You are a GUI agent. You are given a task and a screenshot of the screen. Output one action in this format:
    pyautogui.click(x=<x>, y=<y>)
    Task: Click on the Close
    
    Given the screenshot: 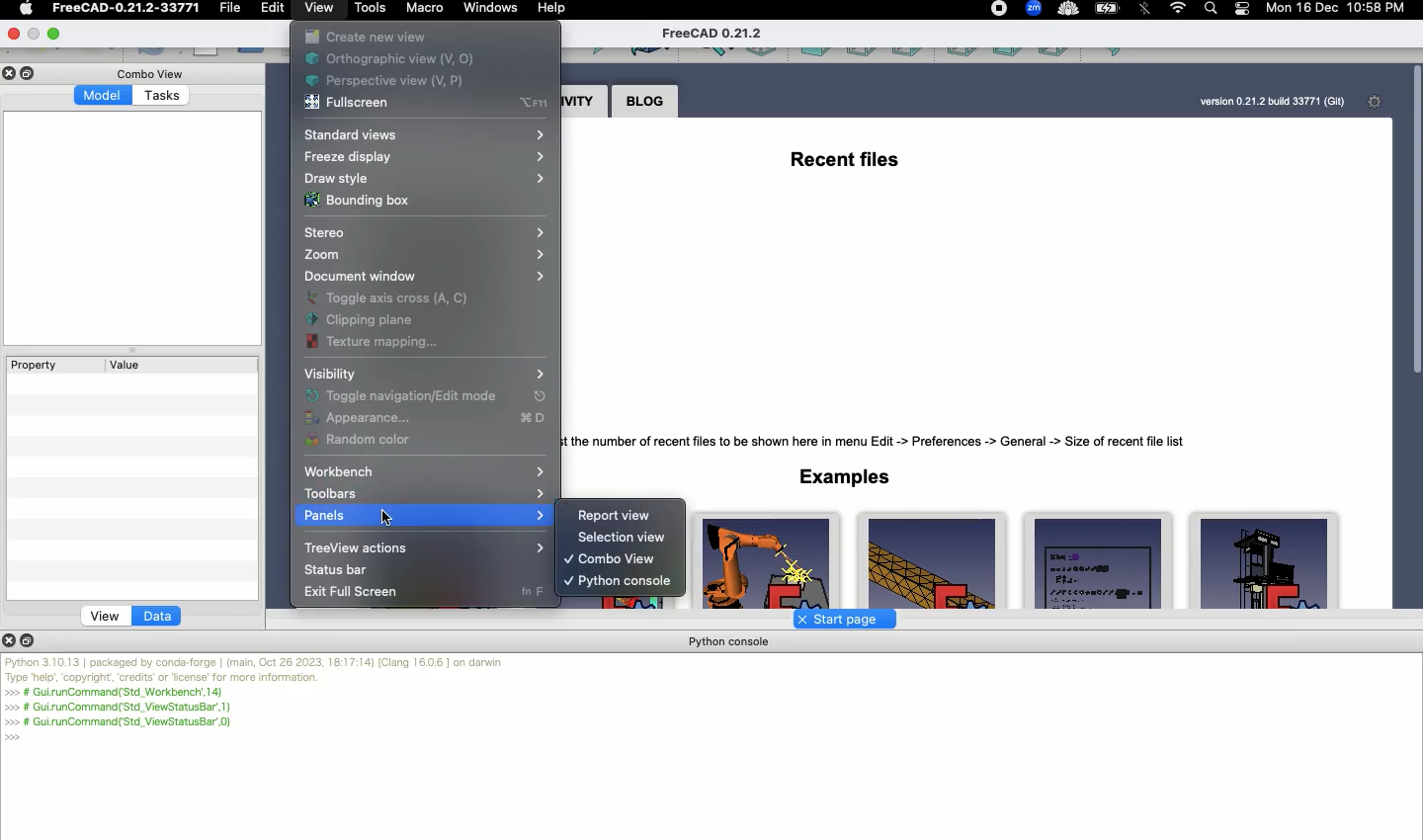 What is the action you would take?
    pyautogui.click(x=13, y=73)
    